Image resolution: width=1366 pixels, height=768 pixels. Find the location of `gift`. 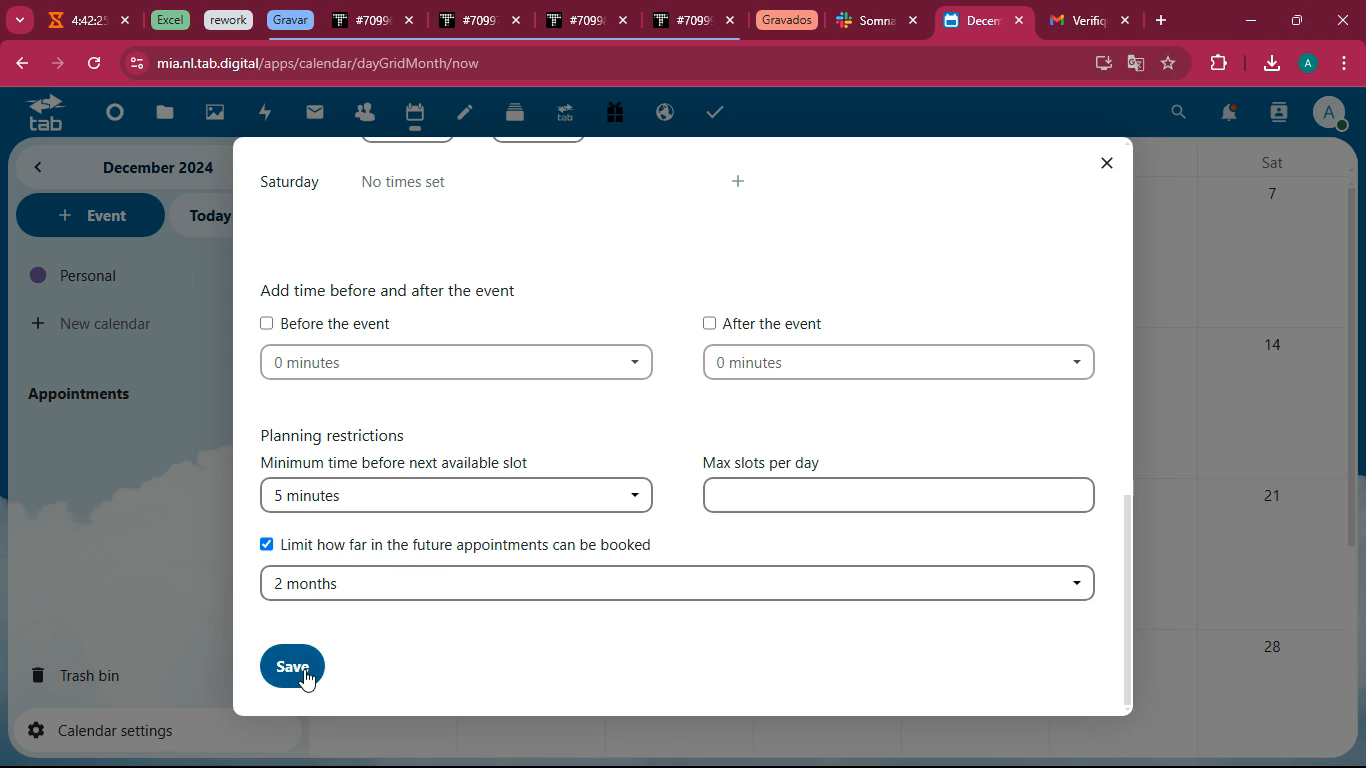

gift is located at coordinates (613, 114).